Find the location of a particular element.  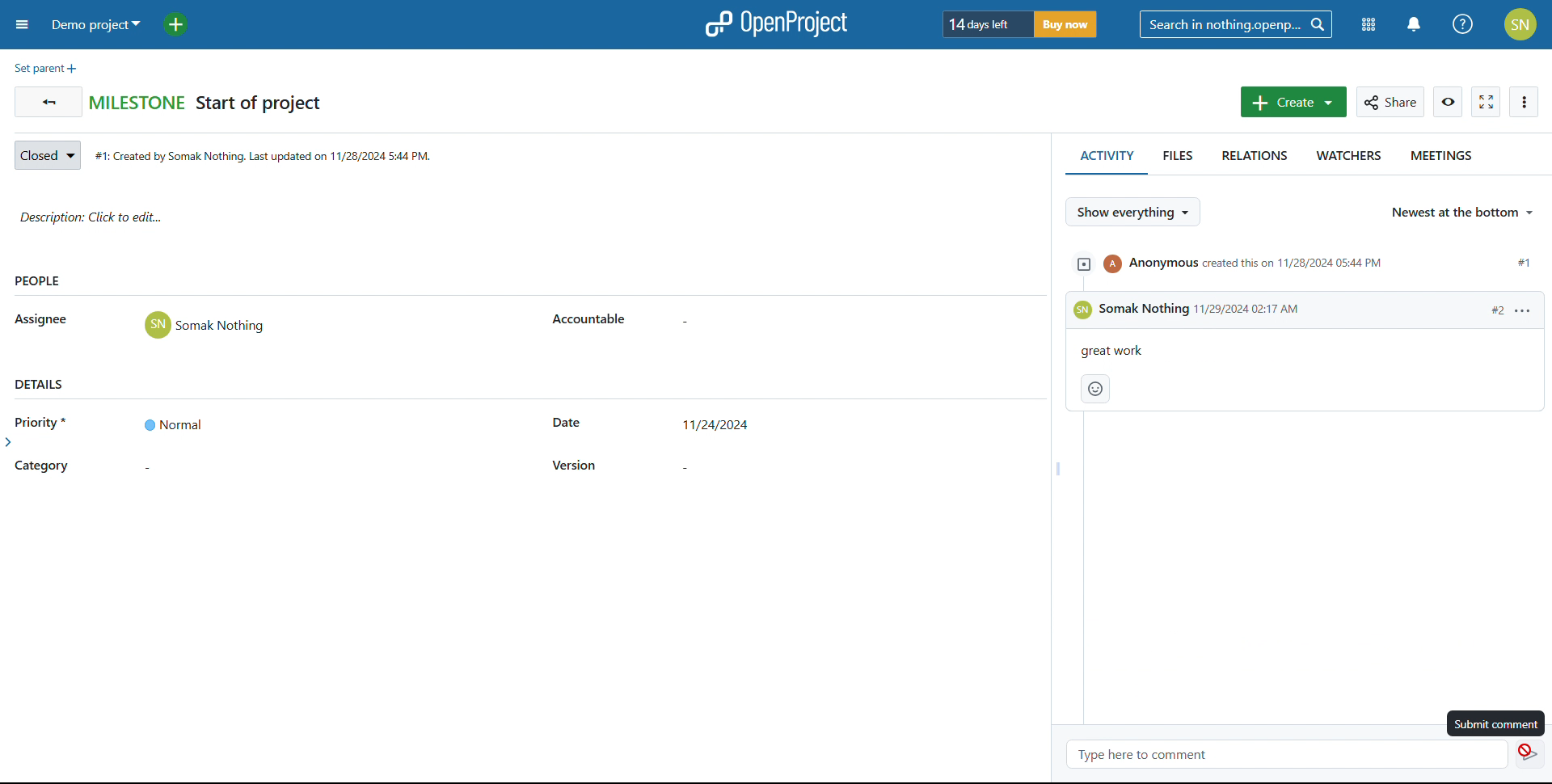

select sorting is located at coordinates (1462, 213).